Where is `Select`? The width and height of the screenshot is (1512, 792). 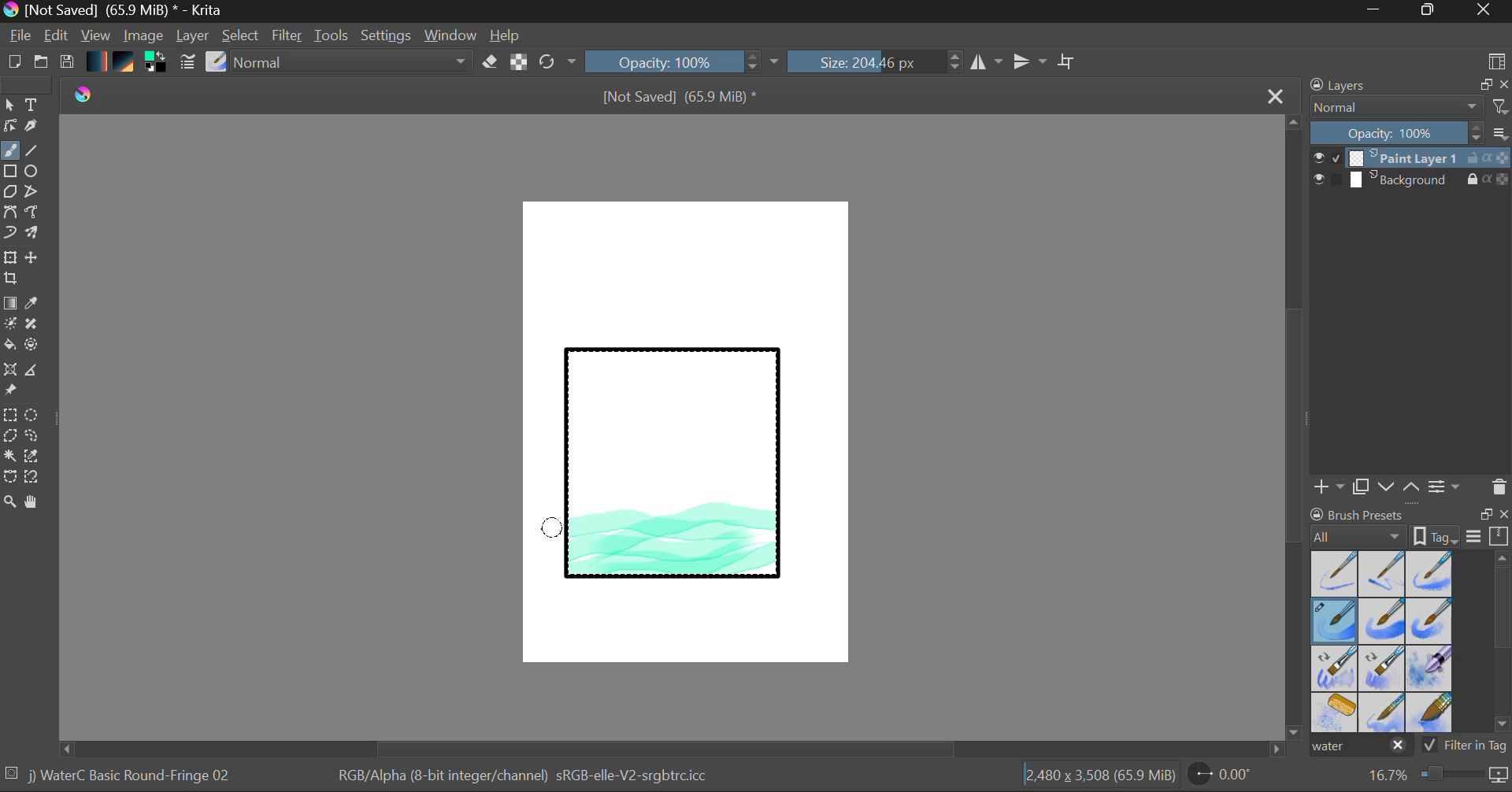
Select is located at coordinates (9, 105).